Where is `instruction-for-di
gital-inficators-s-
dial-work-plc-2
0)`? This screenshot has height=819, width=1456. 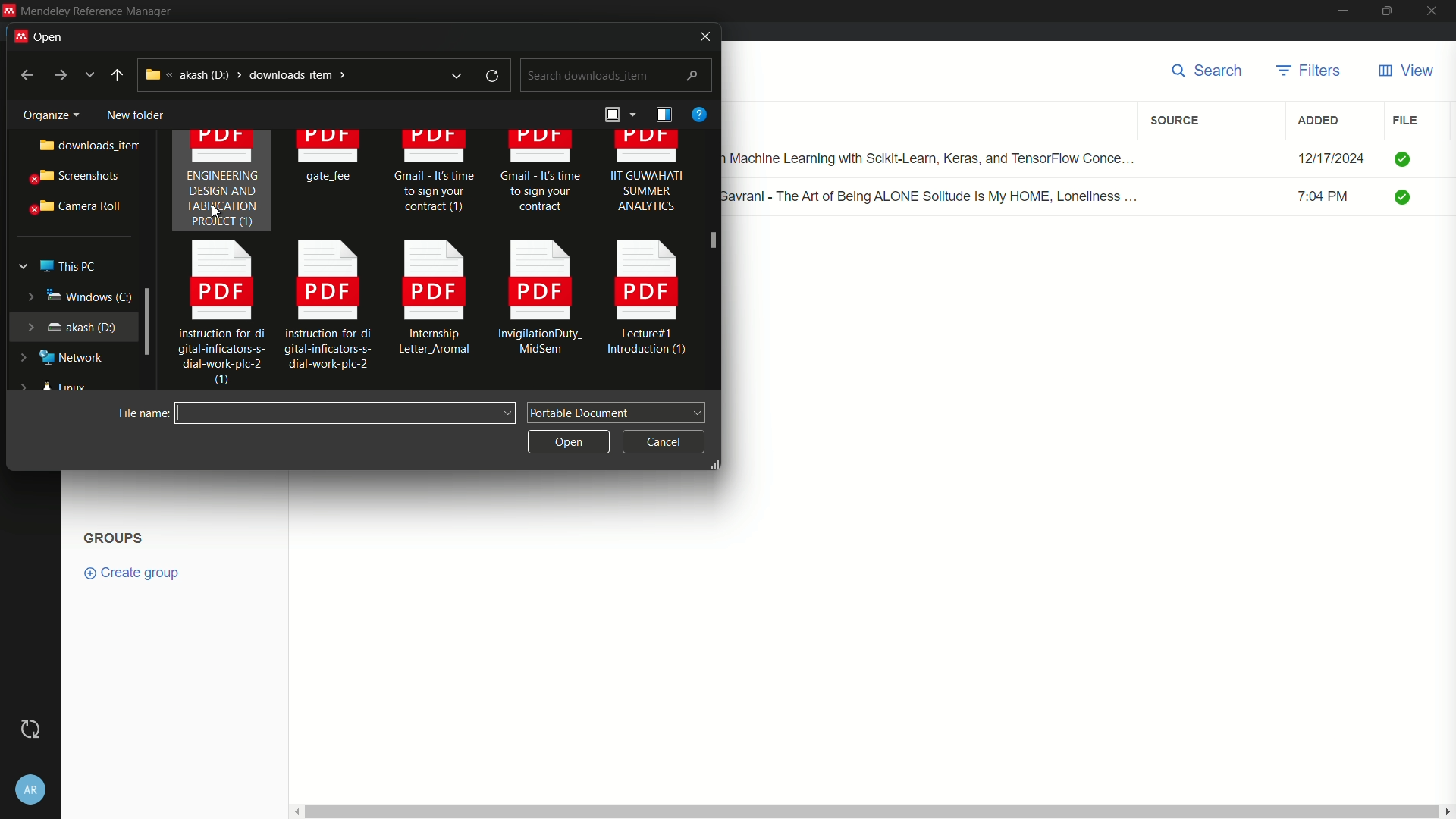 instruction-for-di
gital-inficators-s-
dial-work-plc-2
0) is located at coordinates (214, 315).